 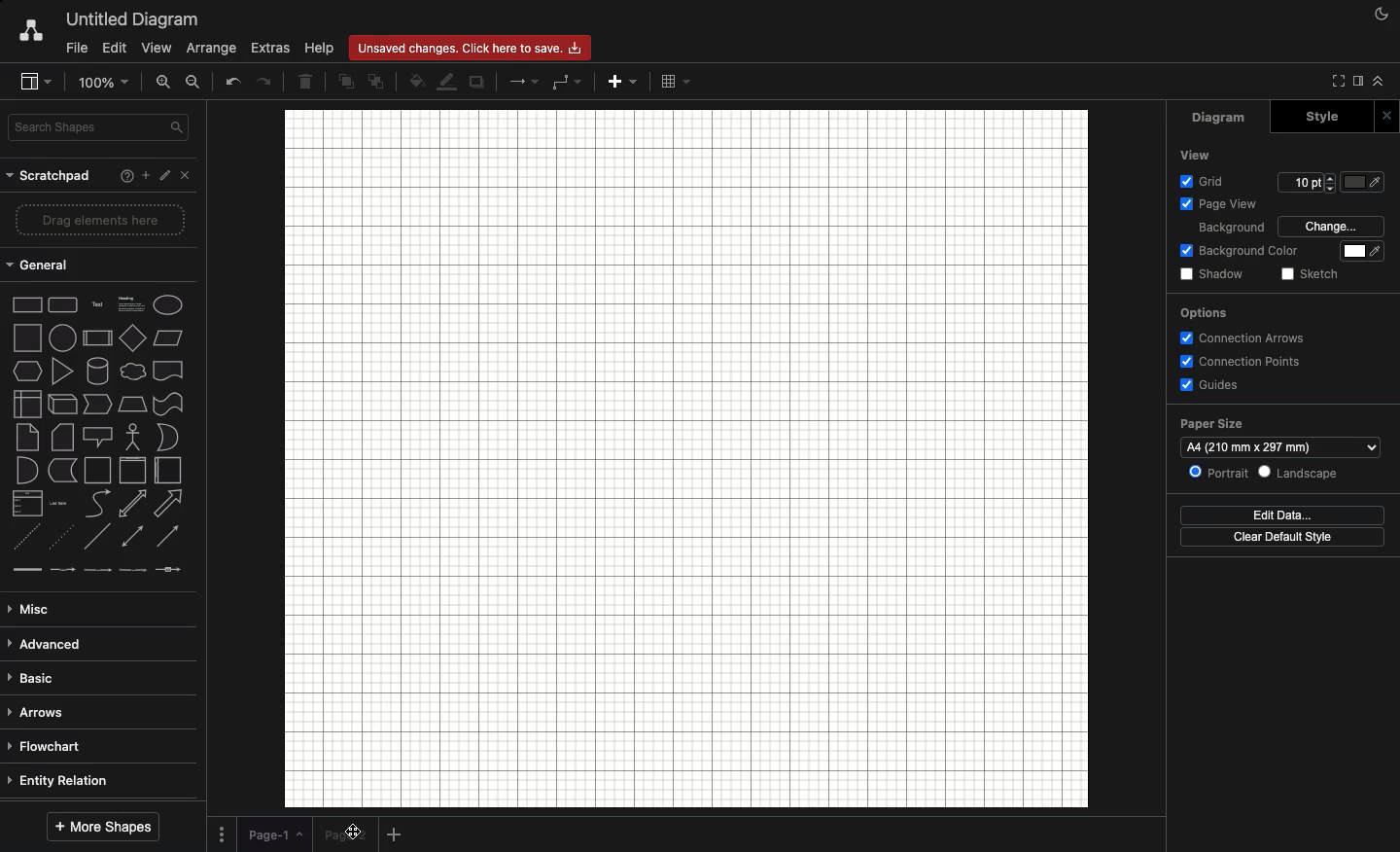 I want to click on Change, so click(x=1330, y=226).